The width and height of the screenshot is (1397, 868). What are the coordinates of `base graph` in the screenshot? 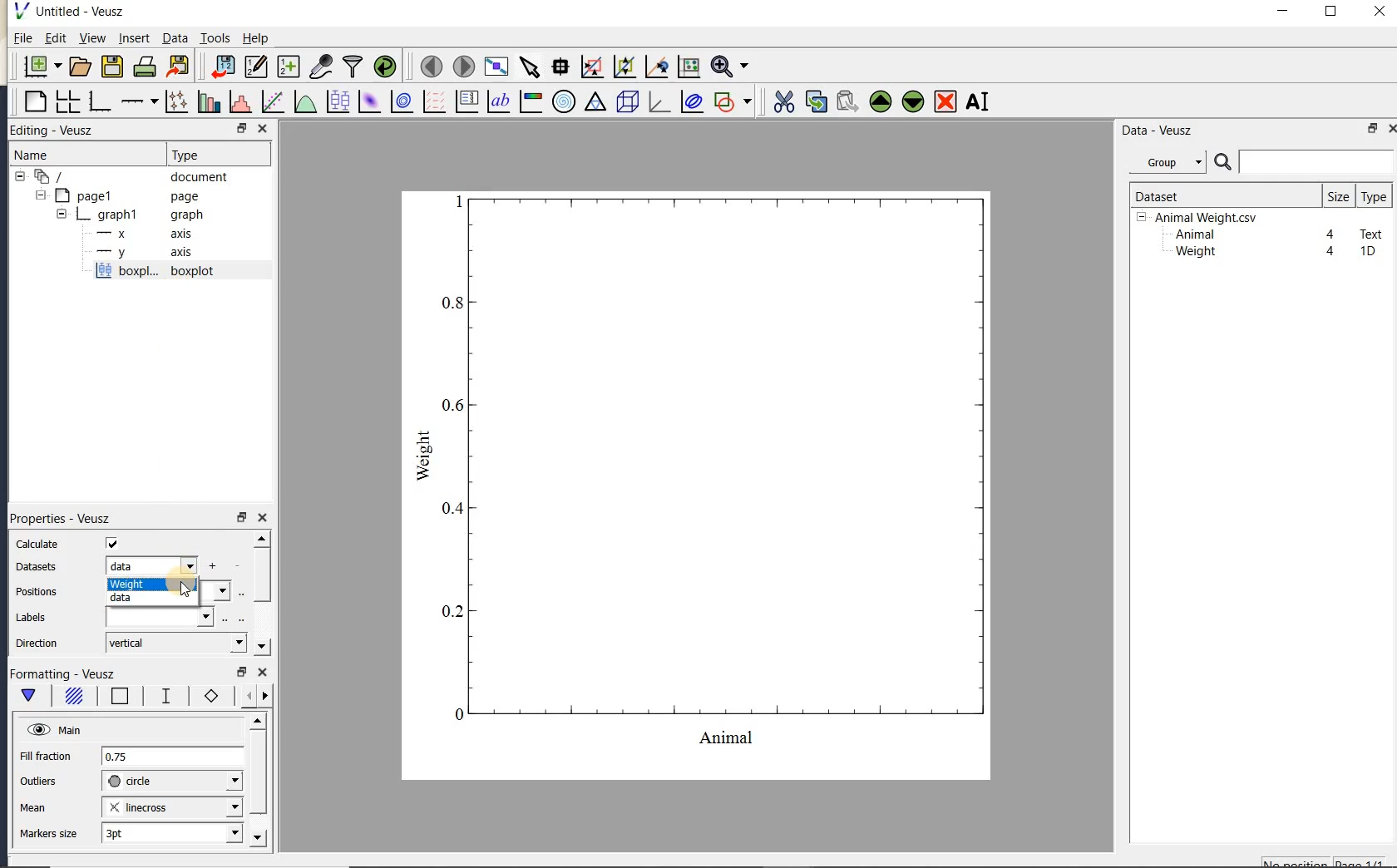 It's located at (98, 101).